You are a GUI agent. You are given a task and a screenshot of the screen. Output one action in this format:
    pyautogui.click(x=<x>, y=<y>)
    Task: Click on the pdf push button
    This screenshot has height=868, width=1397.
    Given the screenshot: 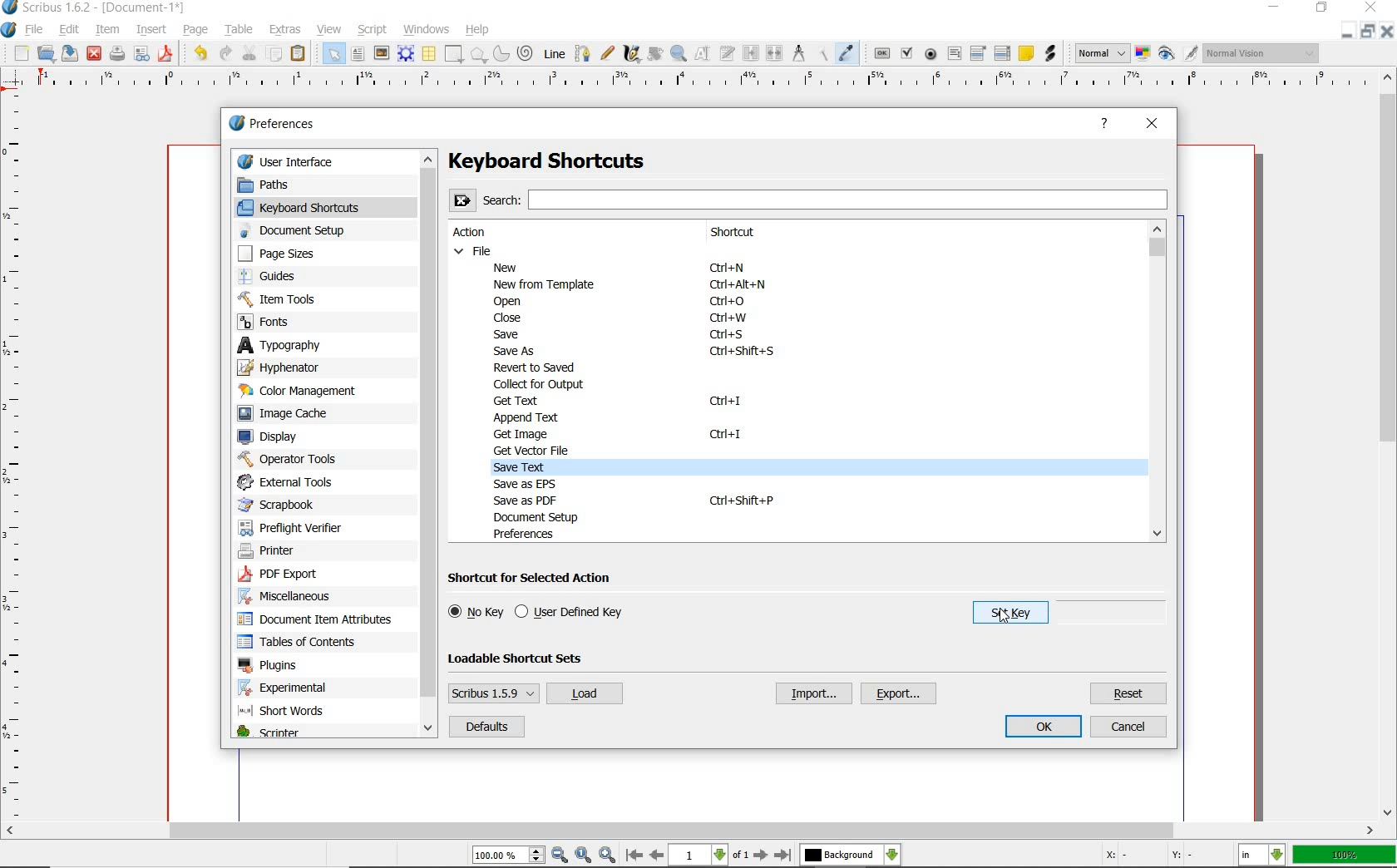 What is the action you would take?
    pyautogui.click(x=882, y=54)
    